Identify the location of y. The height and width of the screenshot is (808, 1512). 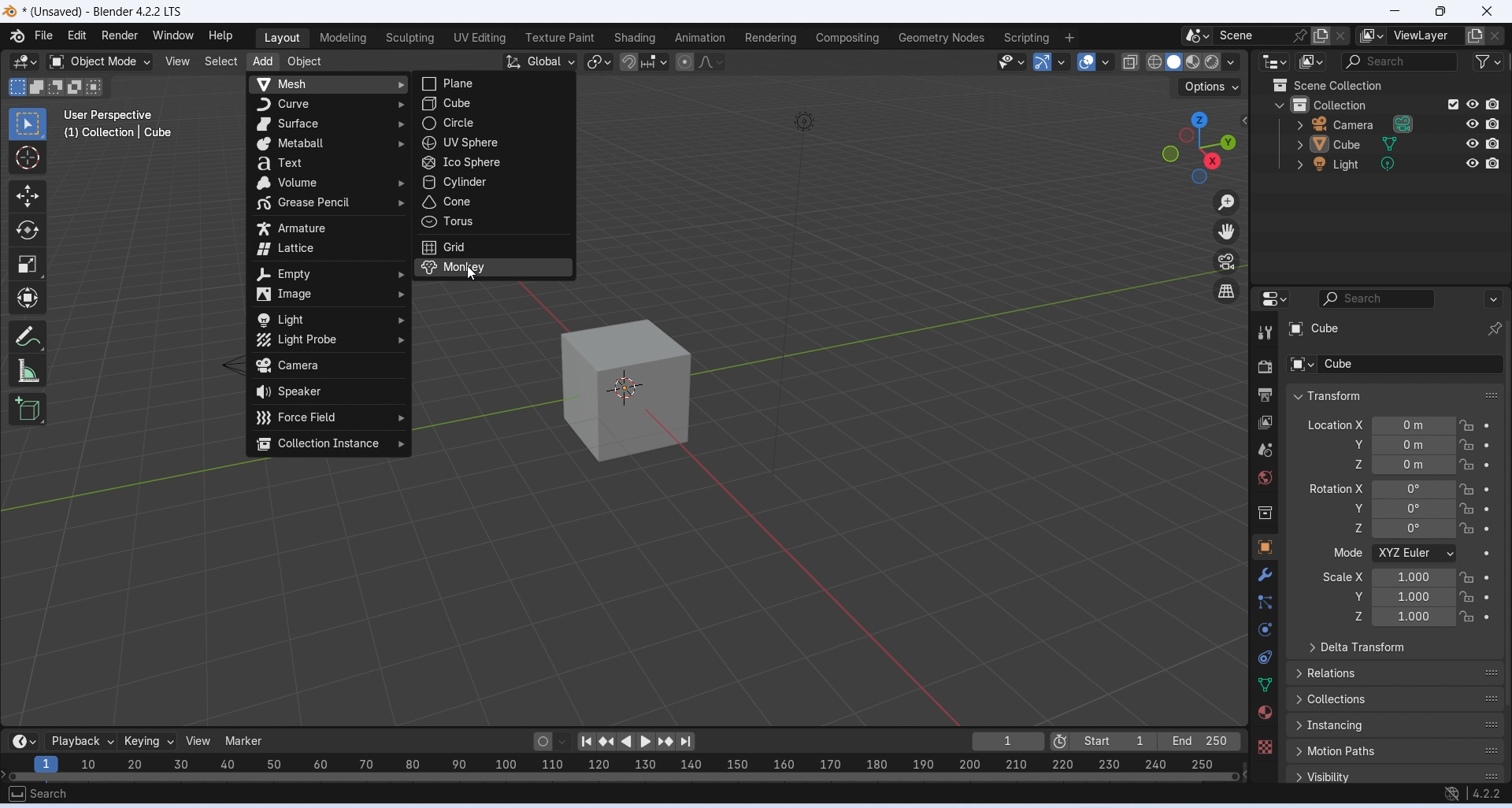
(1350, 595).